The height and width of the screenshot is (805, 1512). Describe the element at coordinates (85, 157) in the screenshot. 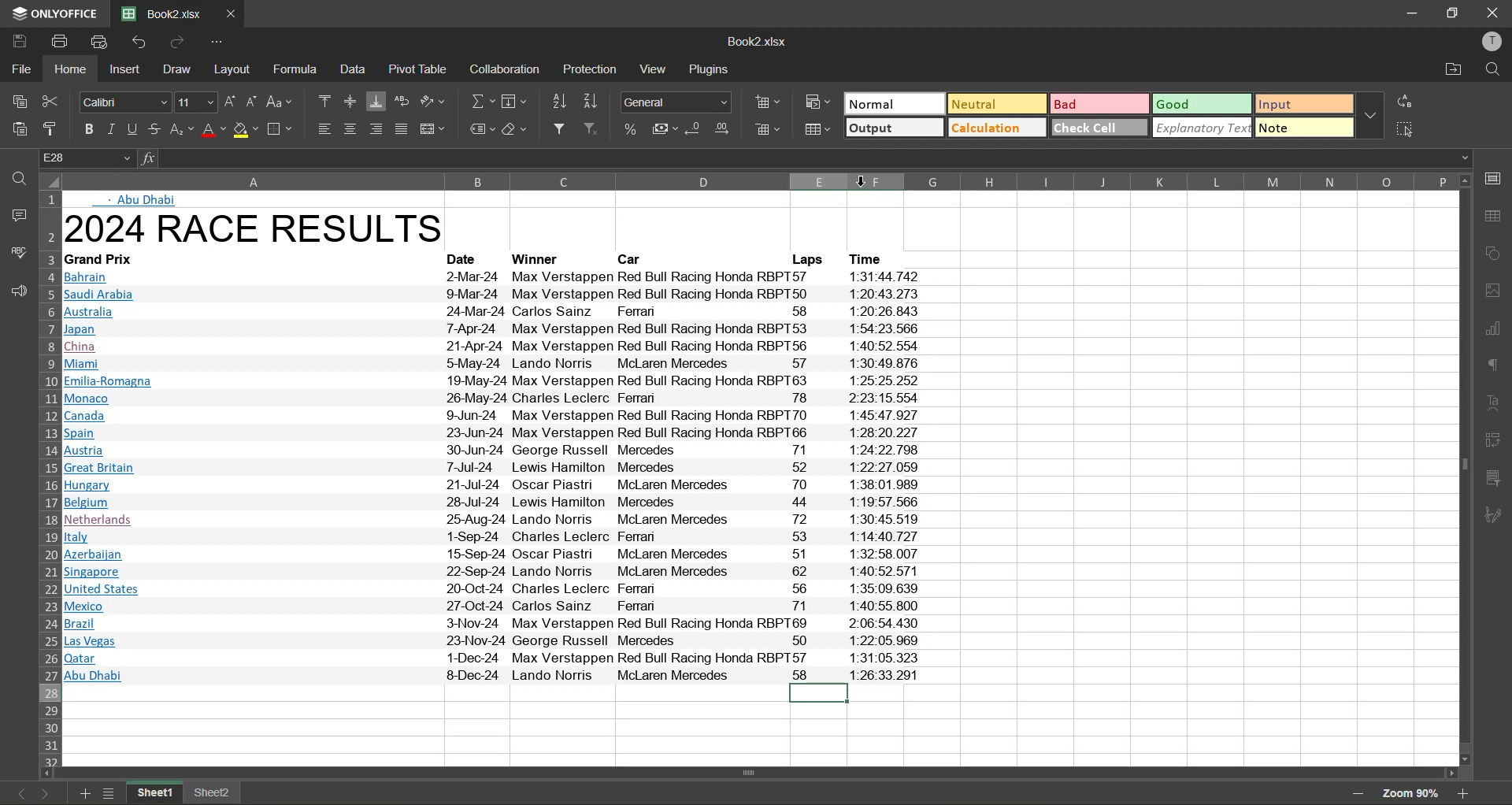

I see `cell address` at that location.